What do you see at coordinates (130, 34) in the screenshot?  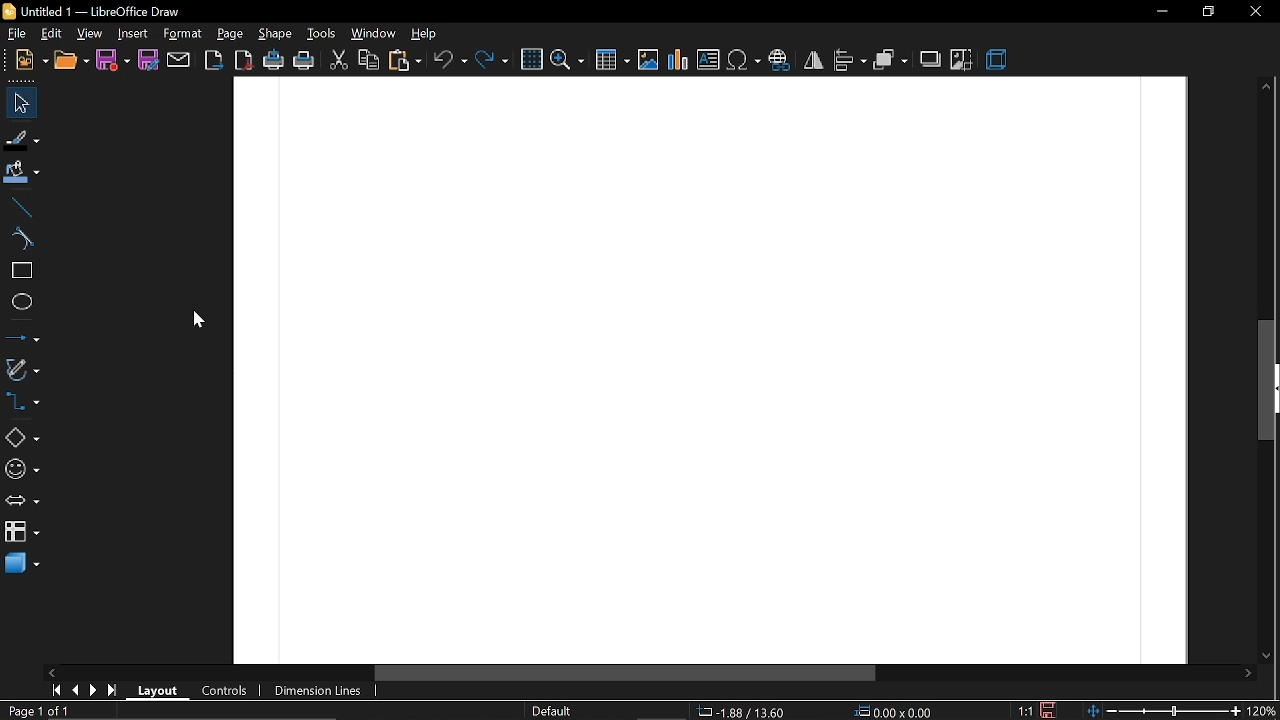 I see `insert` at bounding box center [130, 34].